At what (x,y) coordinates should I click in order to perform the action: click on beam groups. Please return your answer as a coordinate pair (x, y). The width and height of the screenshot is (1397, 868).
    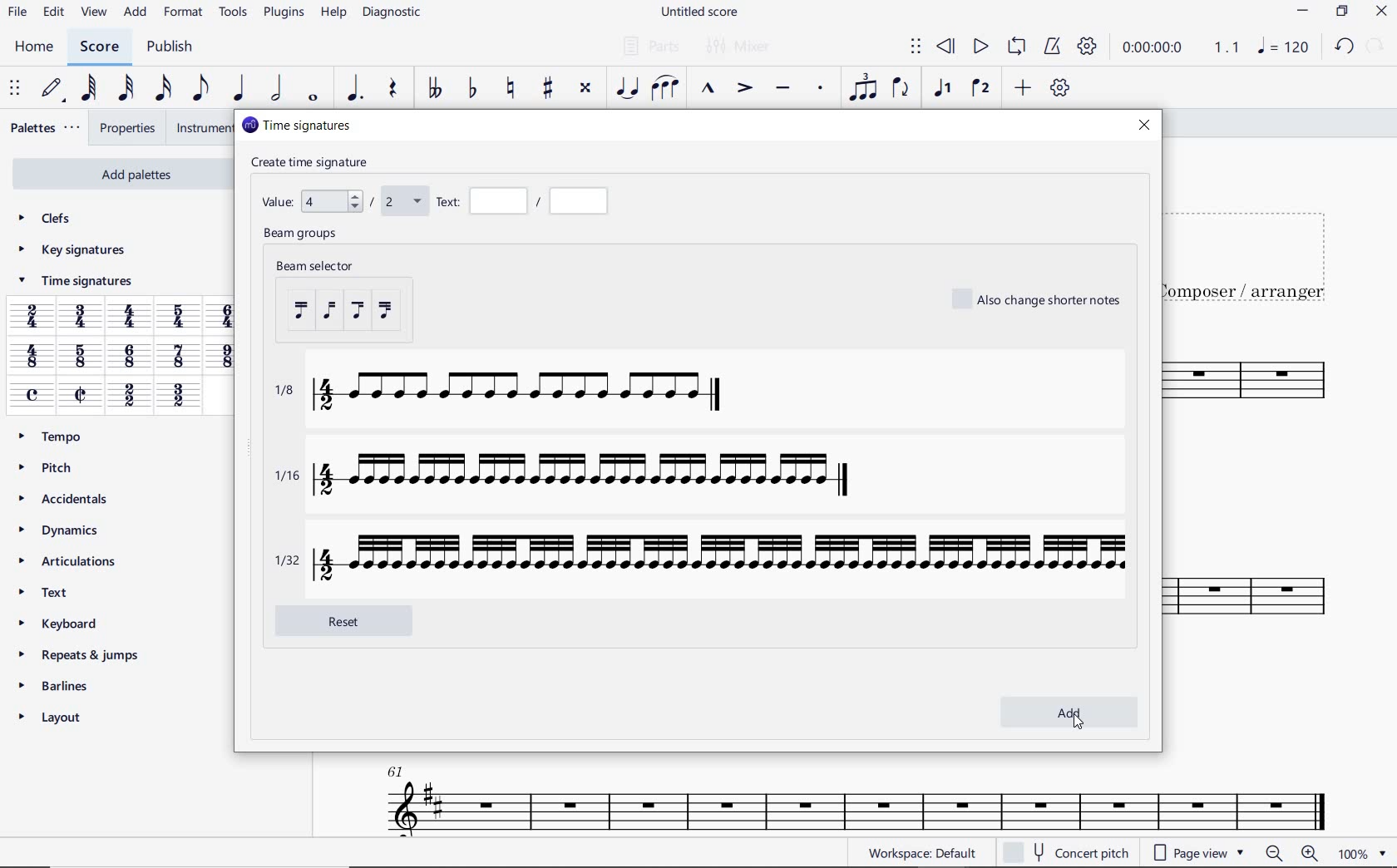
    Looking at the image, I should click on (304, 235).